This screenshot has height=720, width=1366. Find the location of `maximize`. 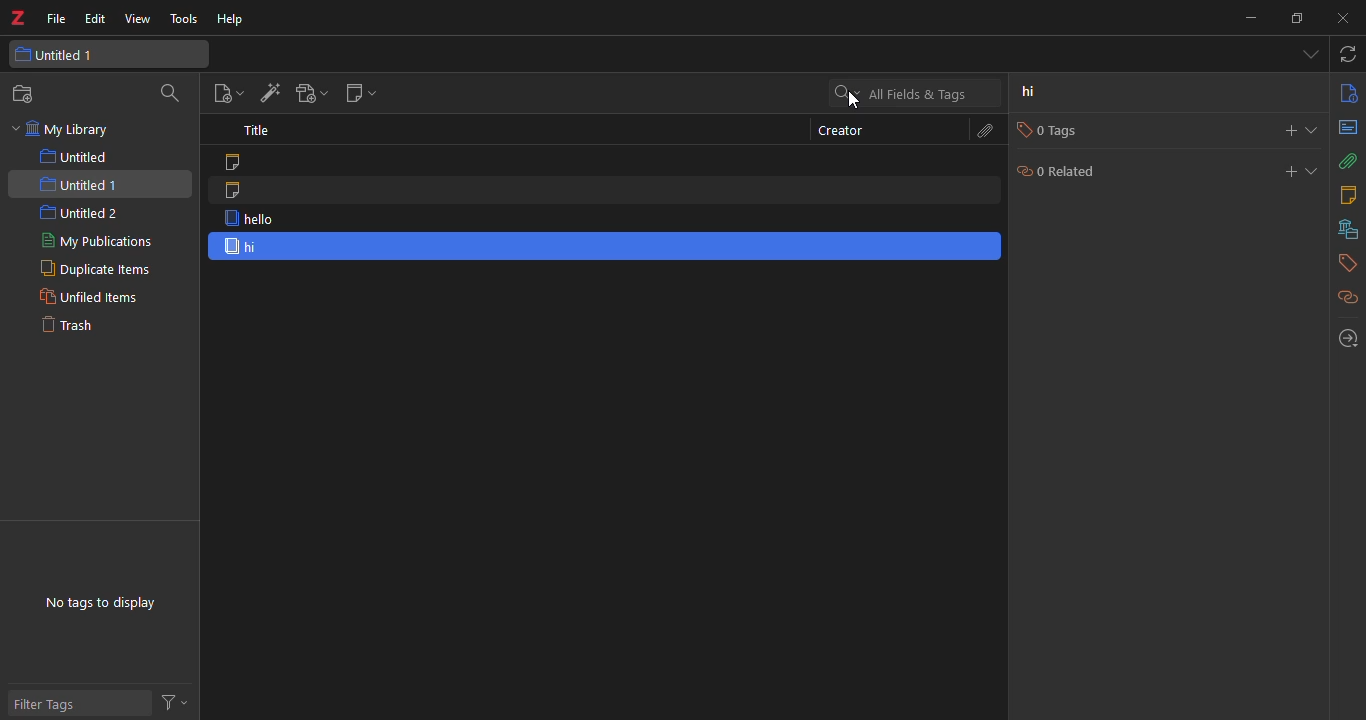

maximize is located at coordinates (1295, 19).